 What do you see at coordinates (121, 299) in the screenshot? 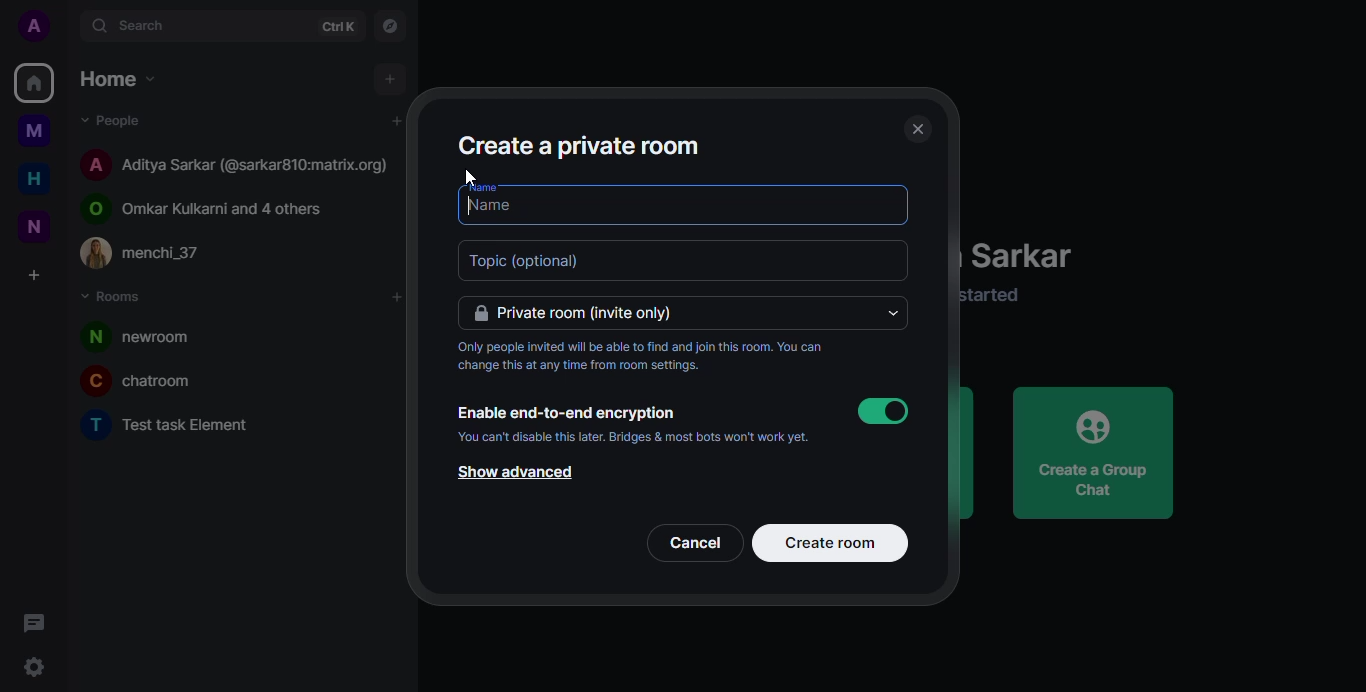
I see `rooms dropdown` at bounding box center [121, 299].